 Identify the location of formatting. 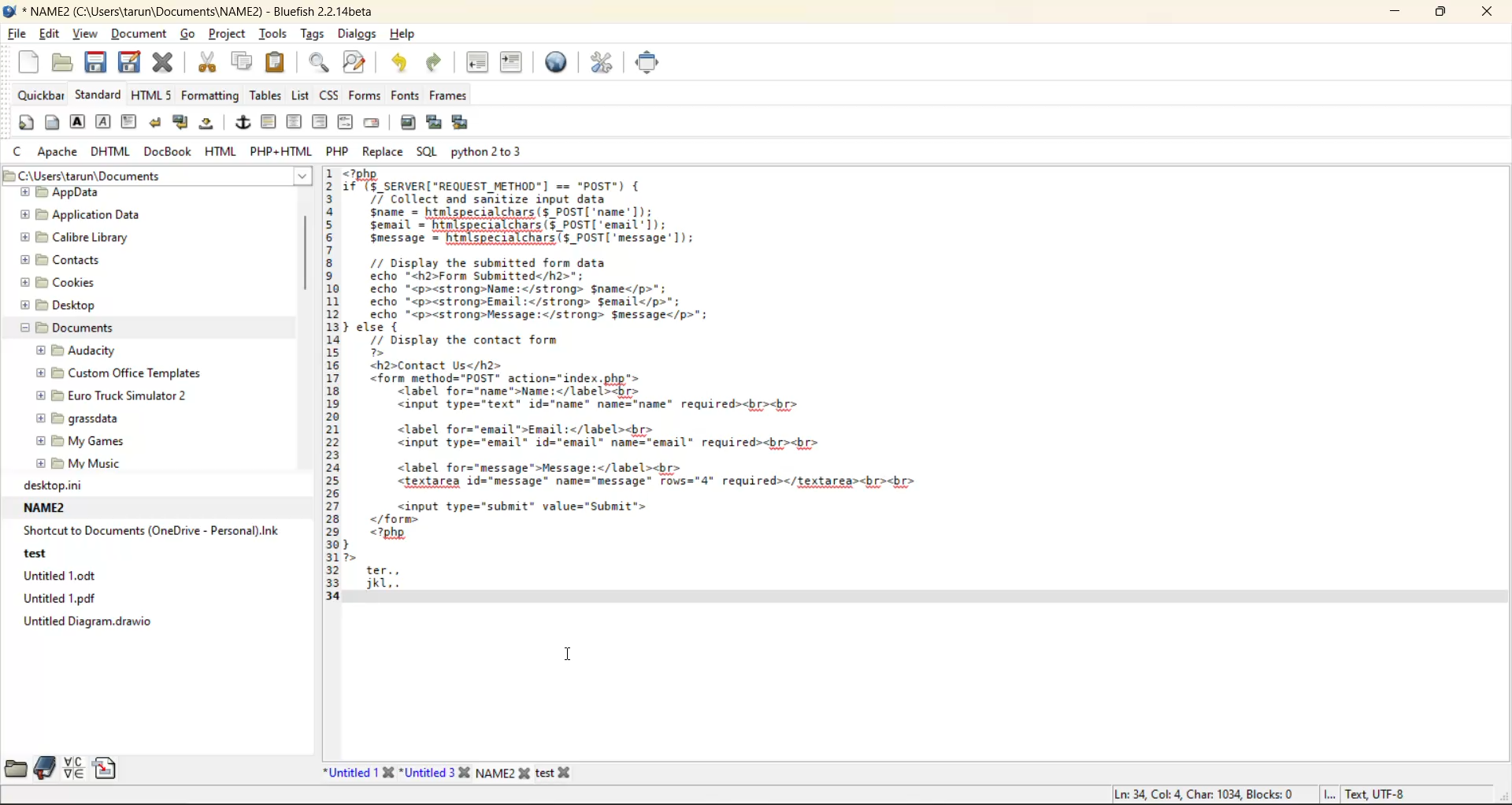
(213, 97).